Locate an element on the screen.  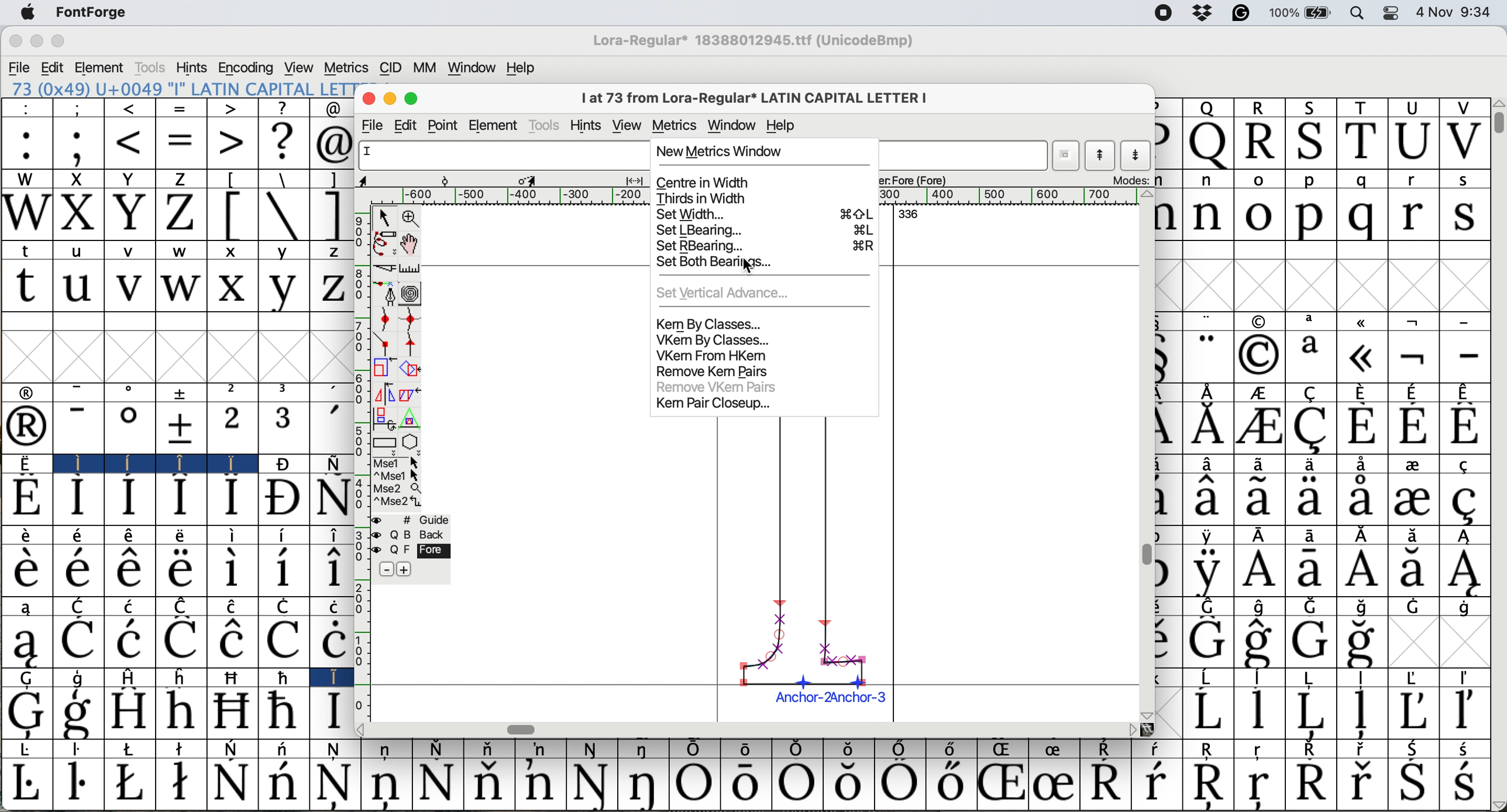
remove kem pairs is located at coordinates (715, 371).